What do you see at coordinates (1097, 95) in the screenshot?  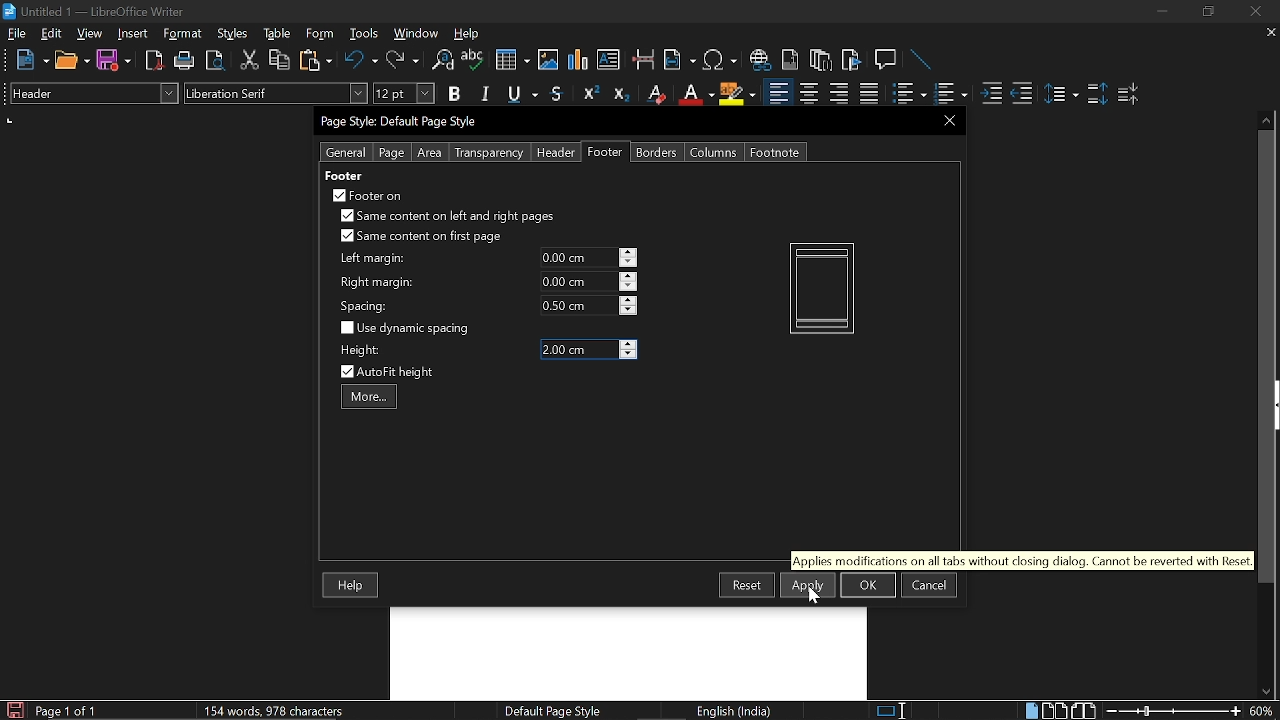 I see `Increase paragraph spacing` at bounding box center [1097, 95].